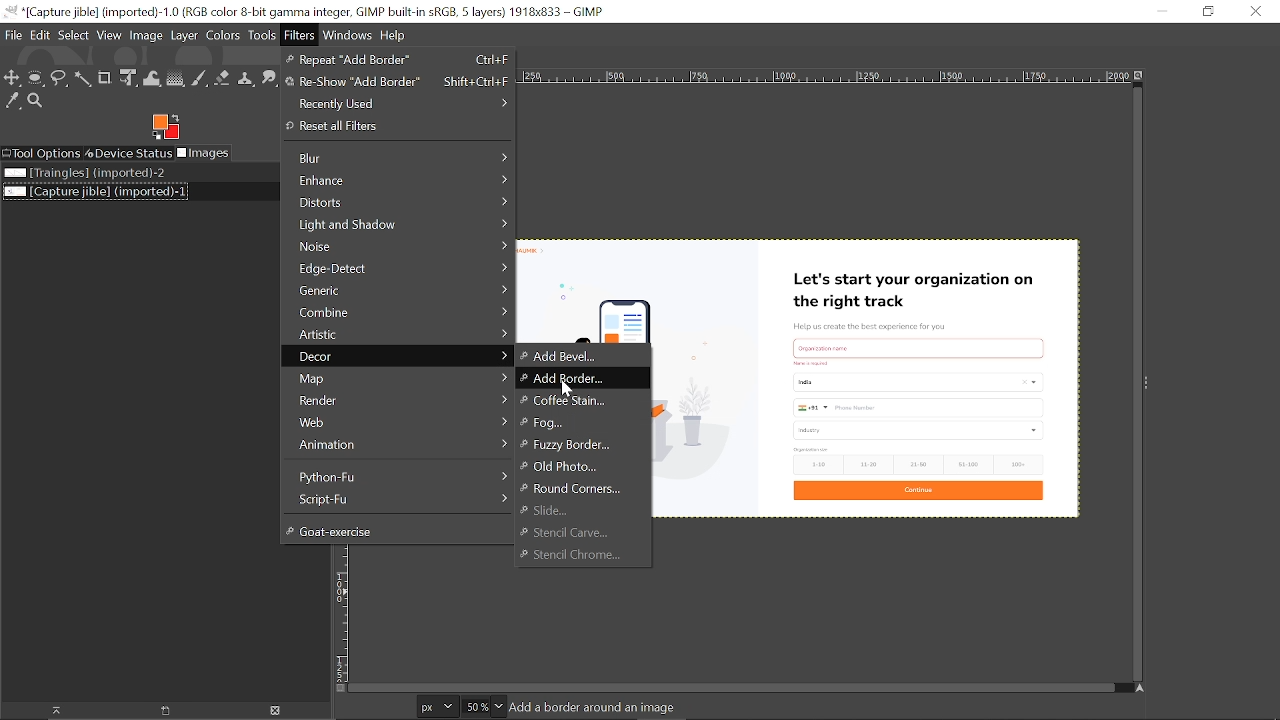 The image size is (1280, 720). I want to click on Goat-excercise, so click(396, 529).